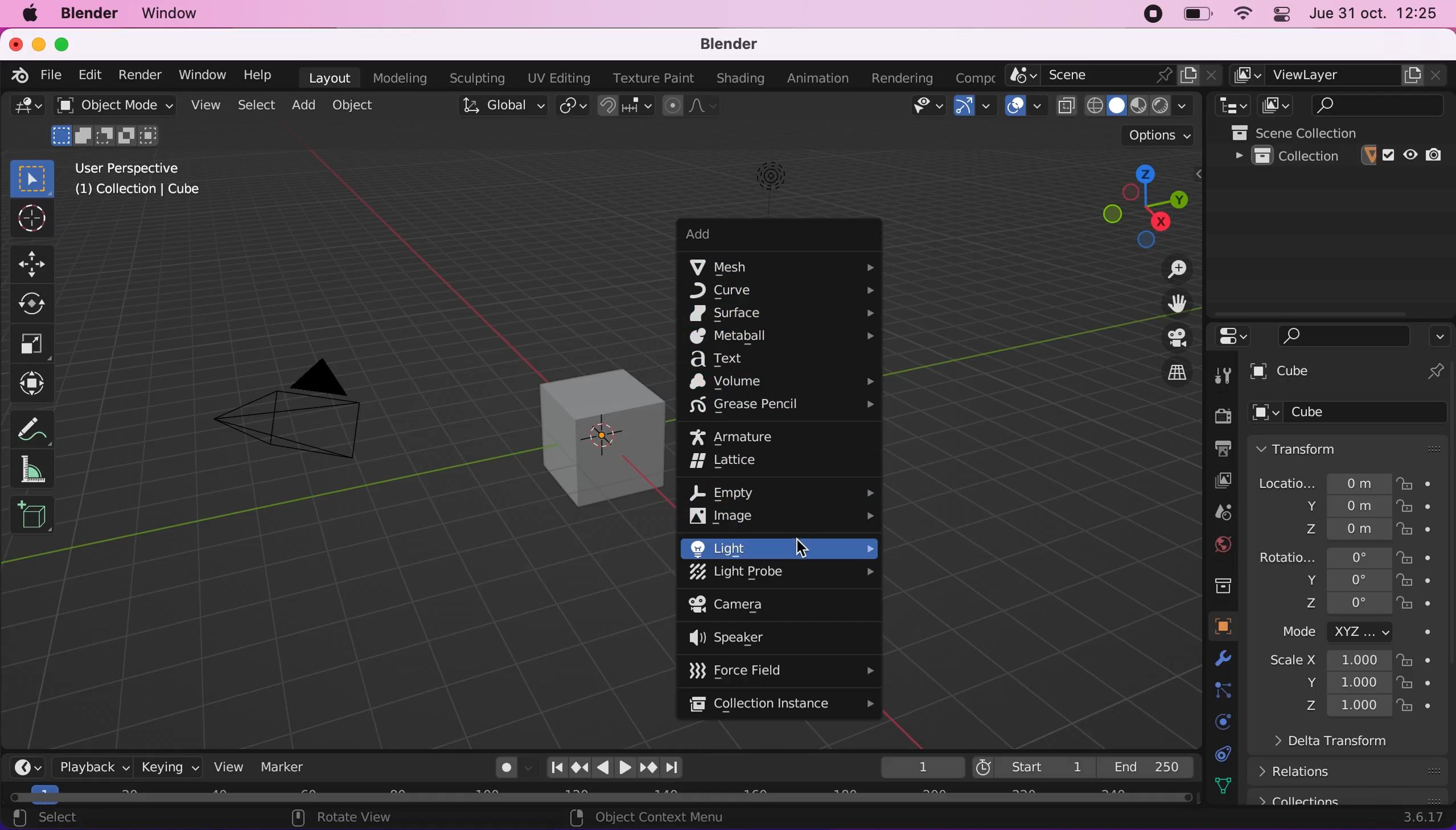 The image size is (1456, 830). What do you see at coordinates (1220, 753) in the screenshot?
I see `constraints` at bounding box center [1220, 753].